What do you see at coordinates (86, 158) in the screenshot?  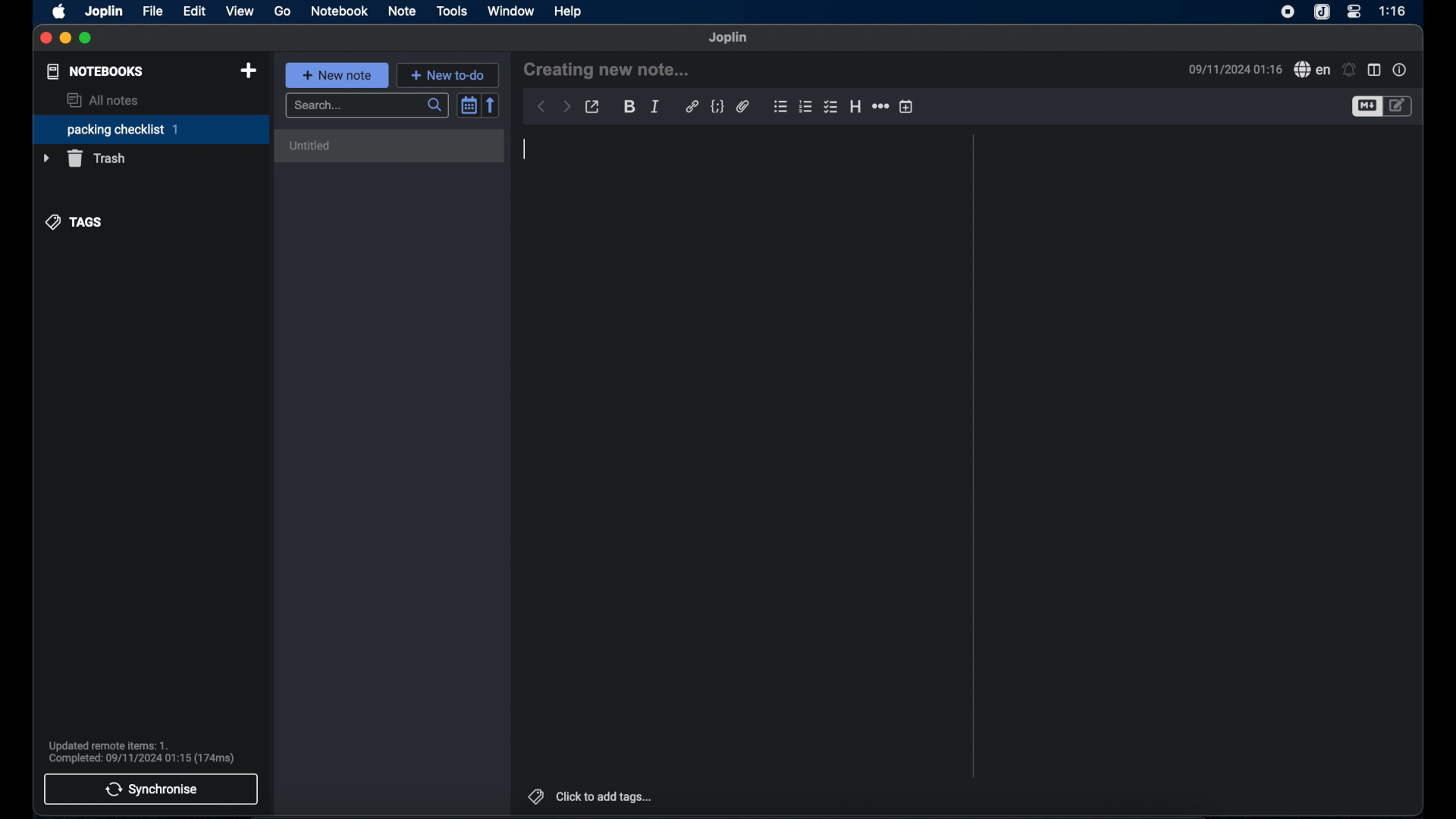 I see `trash` at bounding box center [86, 158].